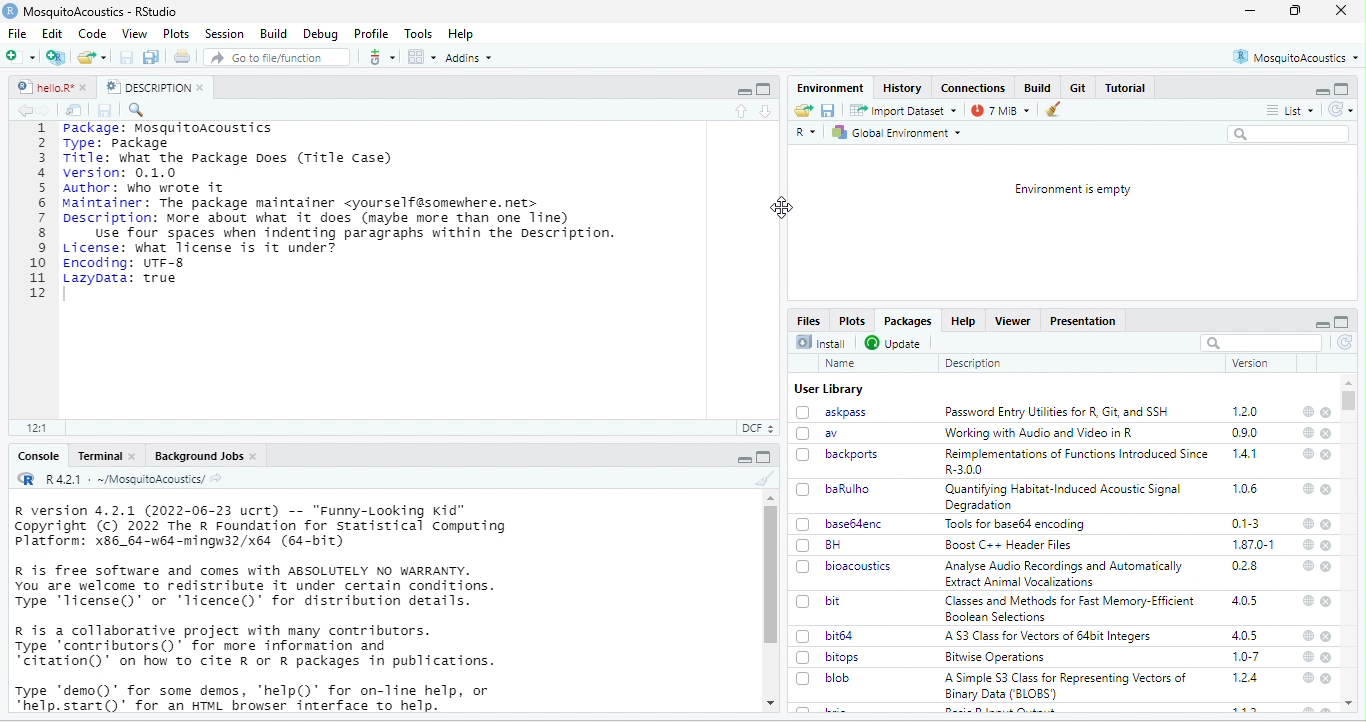 The image size is (1366, 722). What do you see at coordinates (37, 211) in the screenshot?
I see `numbering line` at bounding box center [37, 211].